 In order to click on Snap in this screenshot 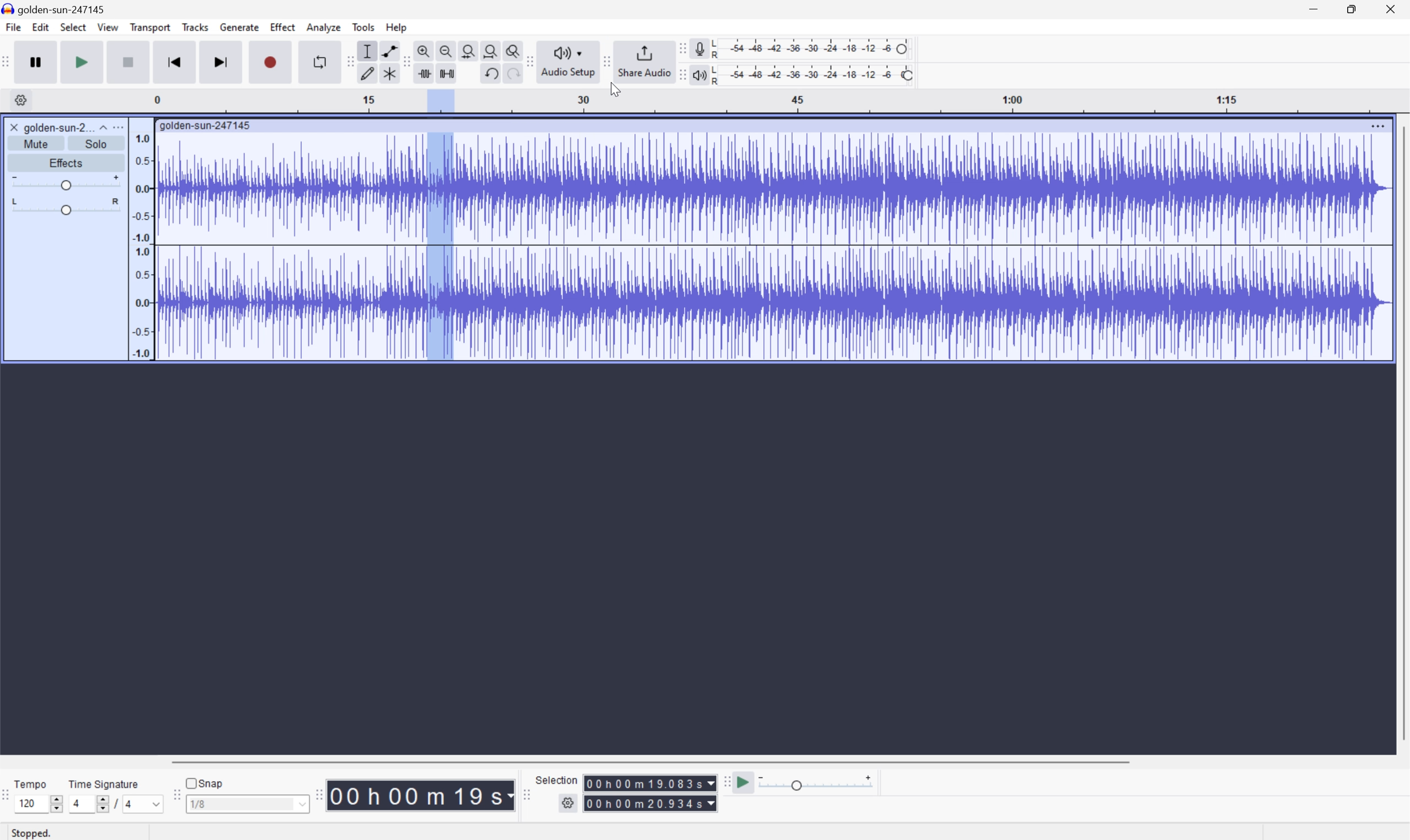, I will do `click(204, 781)`.